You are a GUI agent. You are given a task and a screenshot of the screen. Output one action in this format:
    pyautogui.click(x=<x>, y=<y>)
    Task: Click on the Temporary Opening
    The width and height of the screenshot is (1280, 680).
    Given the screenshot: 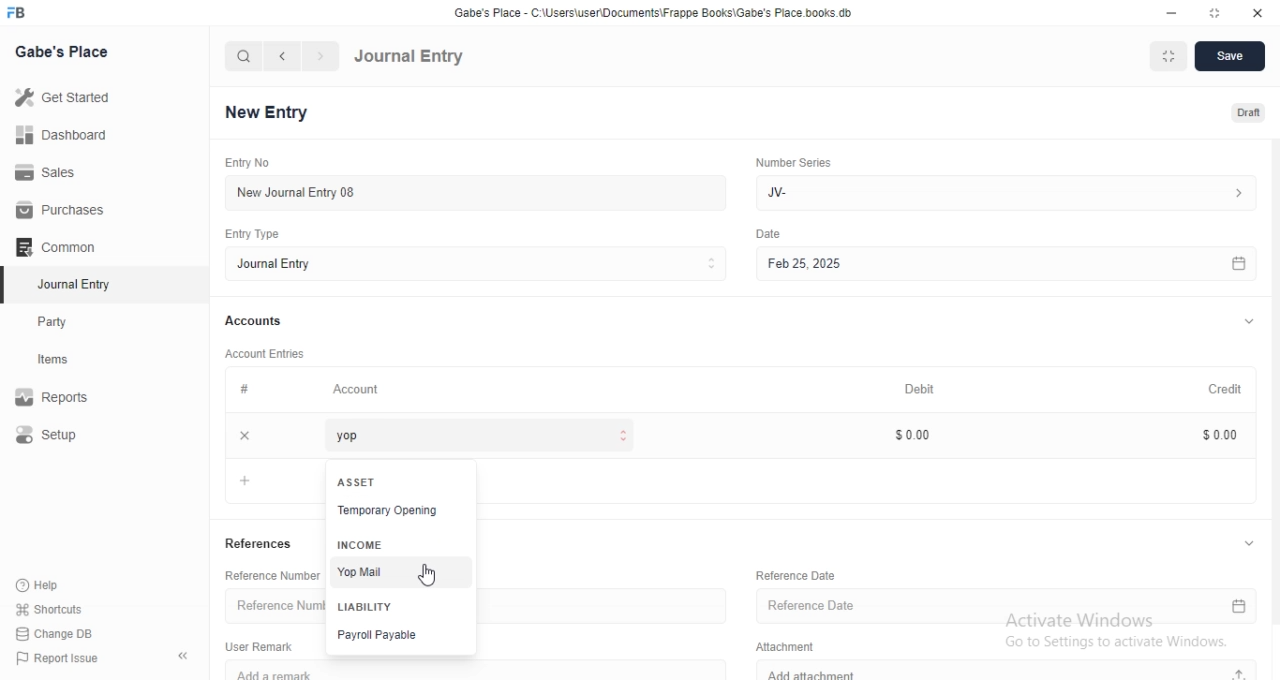 What is the action you would take?
    pyautogui.click(x=402, y=512)
    